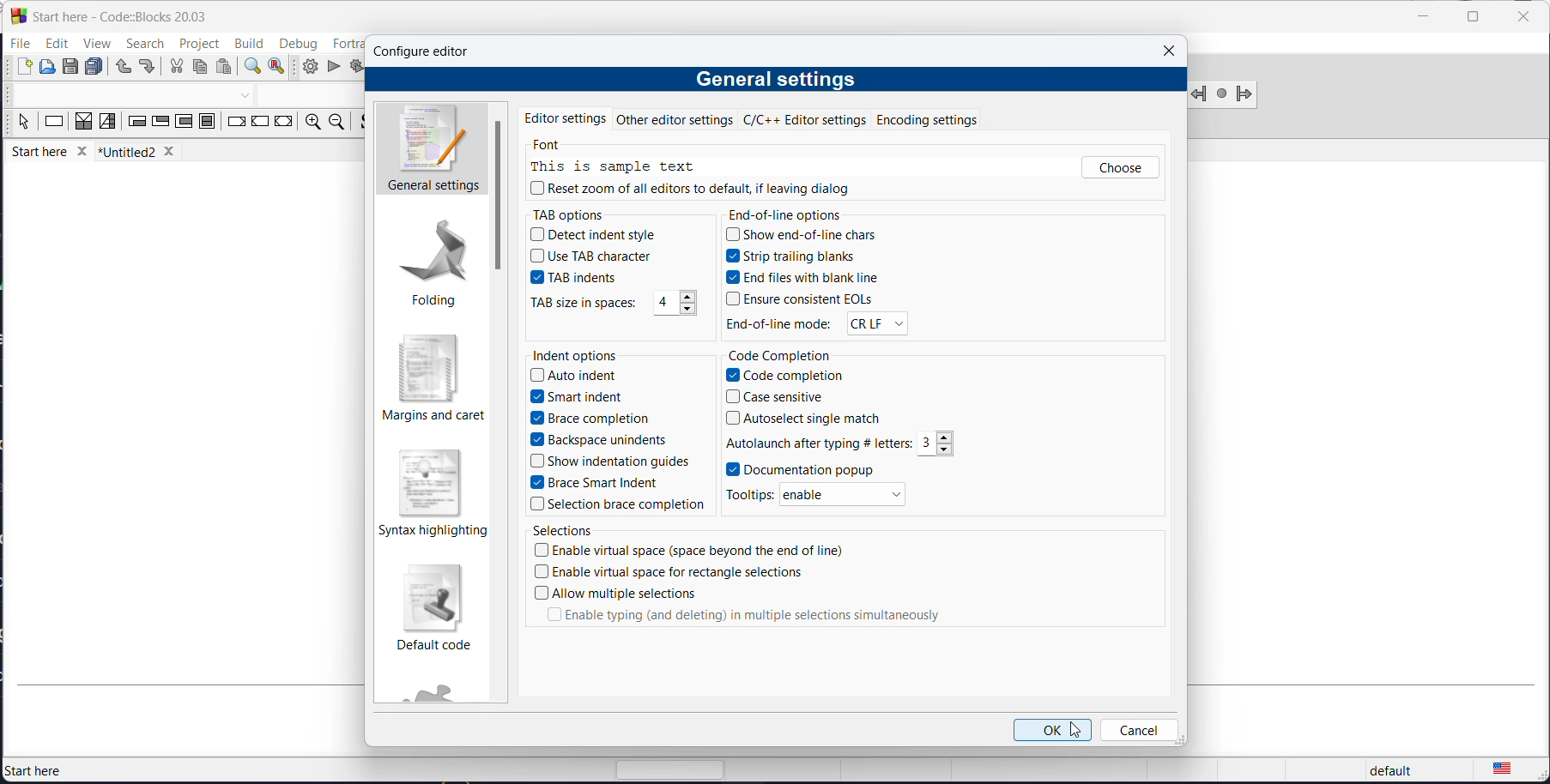  What do you see at coordinates (136, 124) in the screenshot?
I see `entry condition loop` at bounding box center [136, 124].